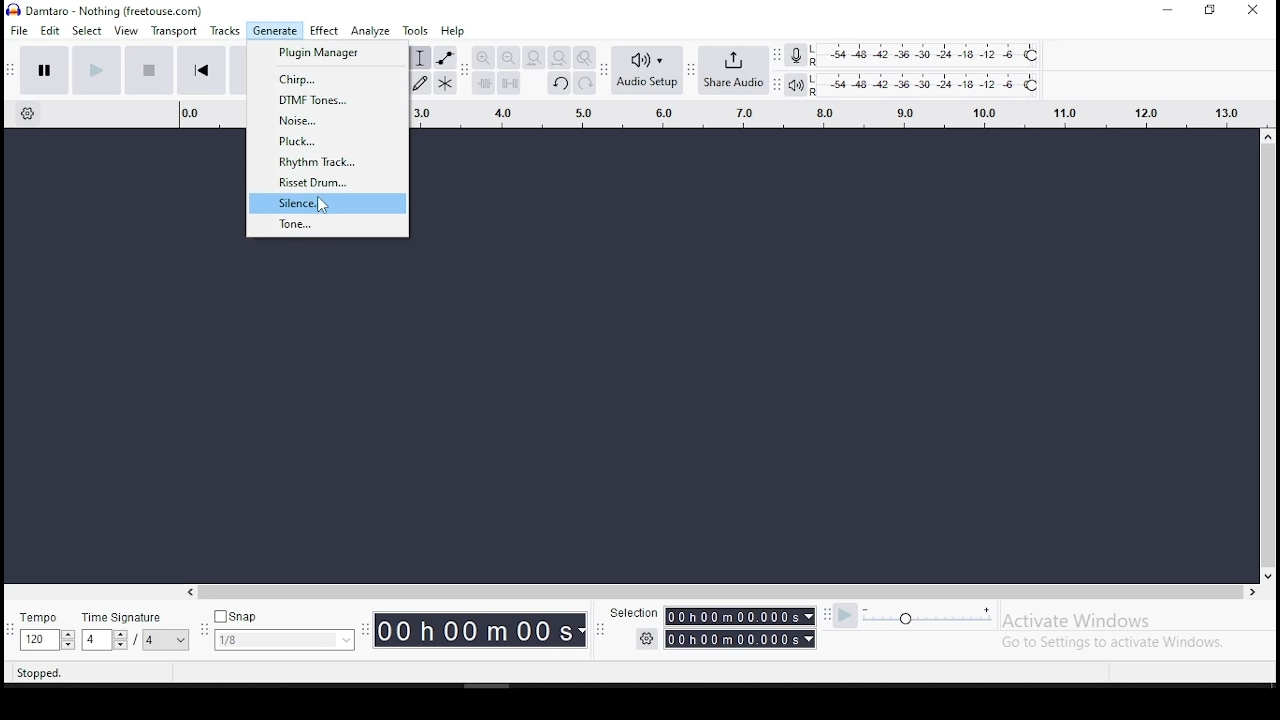 This screenshot has width=1280, height=720. Describe the element at coordinates (1268, 356) in the screenshot. I see `scroll bar` at that location.